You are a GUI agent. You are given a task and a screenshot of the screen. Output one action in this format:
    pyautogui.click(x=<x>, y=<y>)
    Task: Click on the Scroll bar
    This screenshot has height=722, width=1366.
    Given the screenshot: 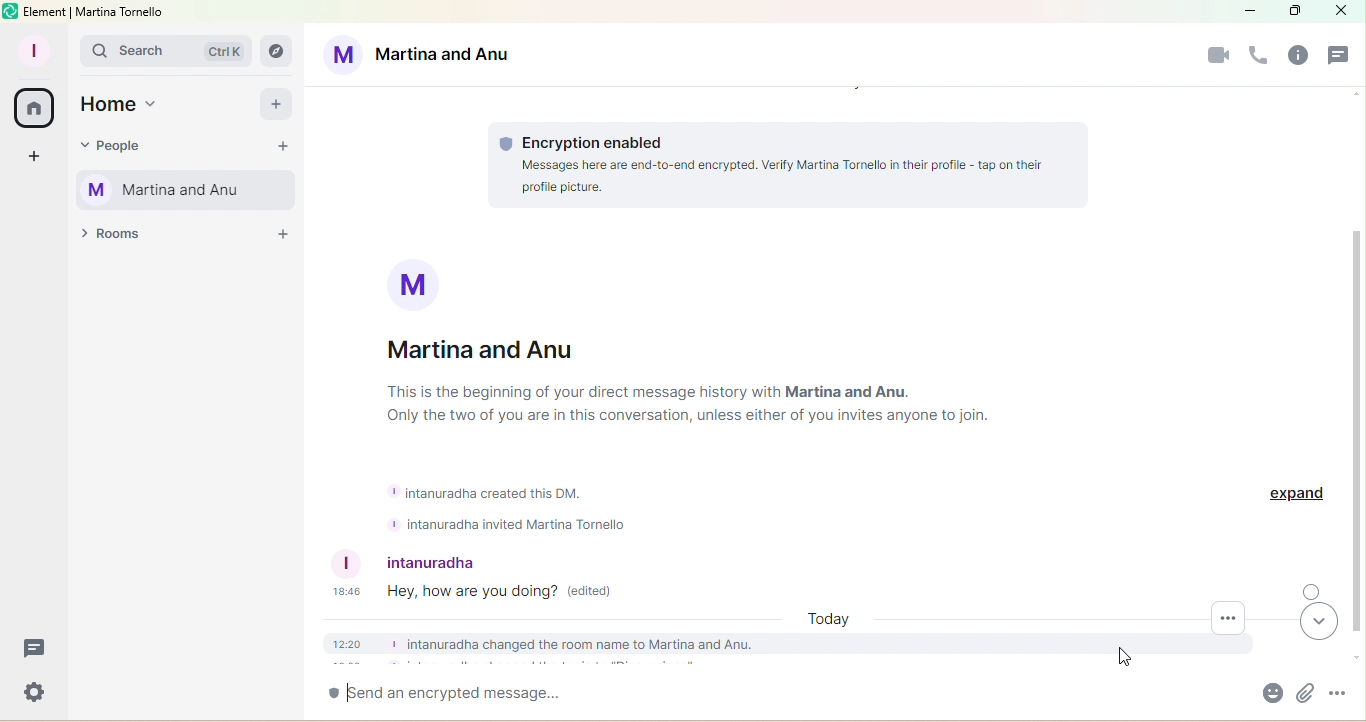 What is the action you would take?
    pyautogui.click(x=1358, y=395)
    